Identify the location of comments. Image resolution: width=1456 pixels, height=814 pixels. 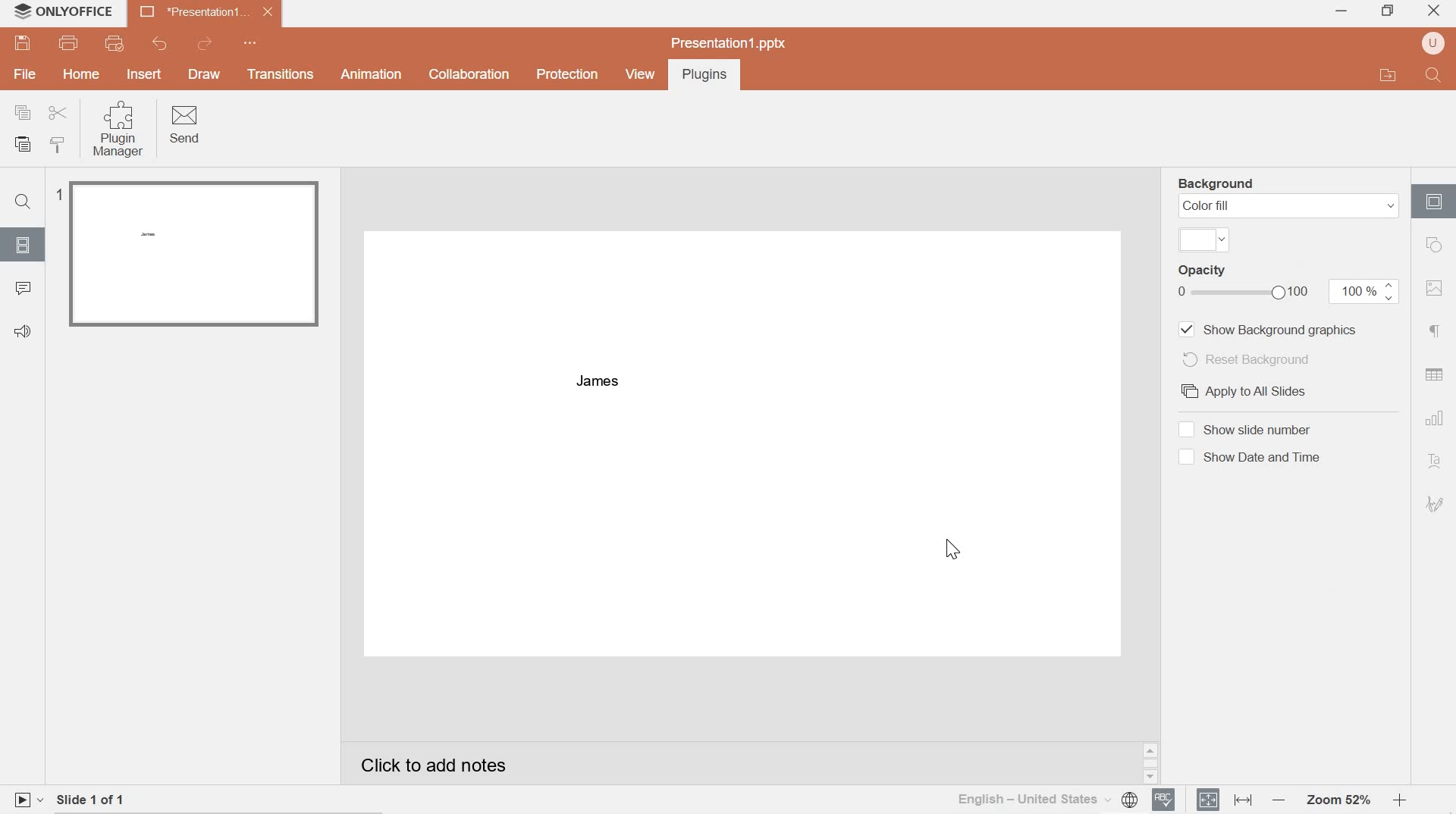
(25, 290).